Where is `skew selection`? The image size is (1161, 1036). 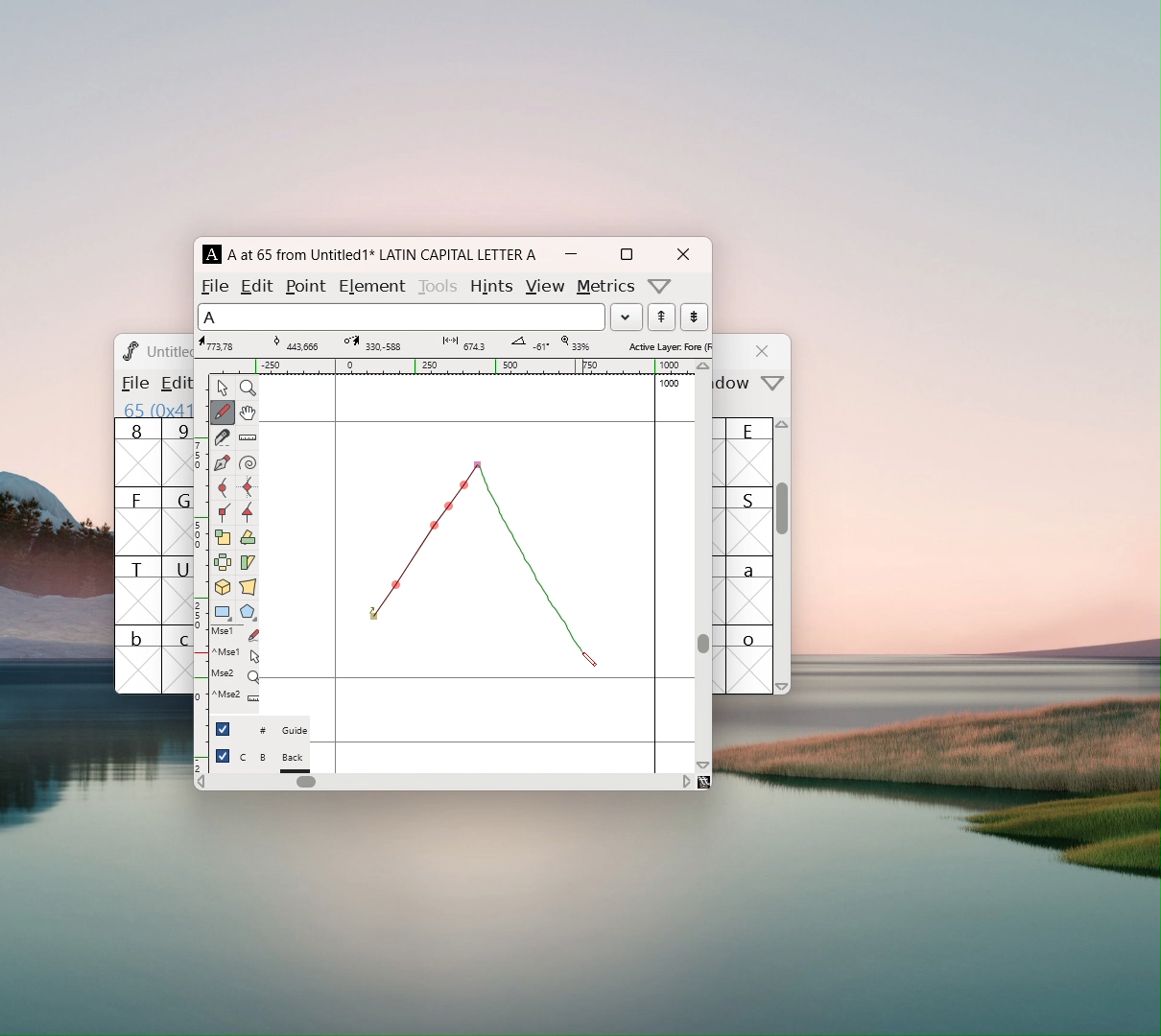 skew selection is located at coordinates (247, 564).